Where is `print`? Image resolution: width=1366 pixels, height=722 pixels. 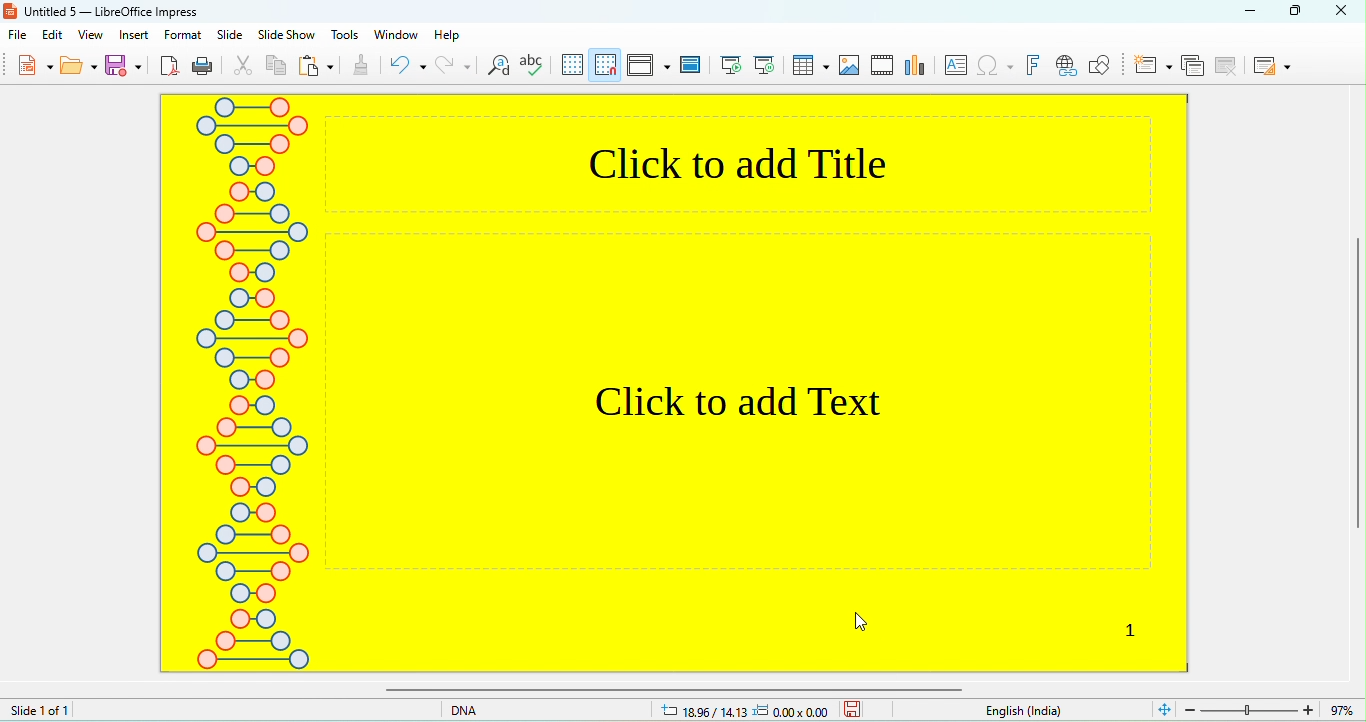
print is located at coordinates (202, 67).